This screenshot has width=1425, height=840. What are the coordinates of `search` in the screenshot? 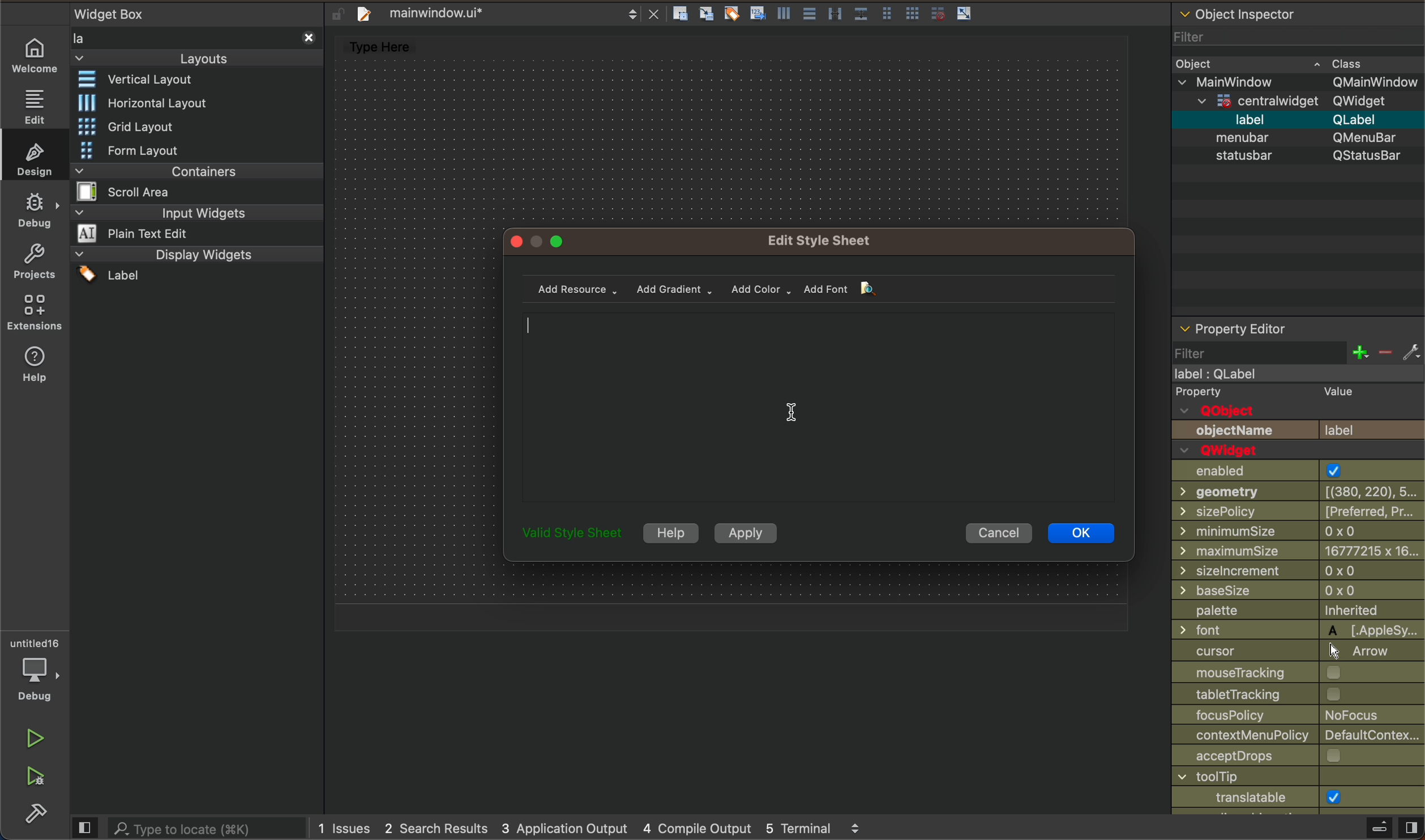 It's located at (191, 827).